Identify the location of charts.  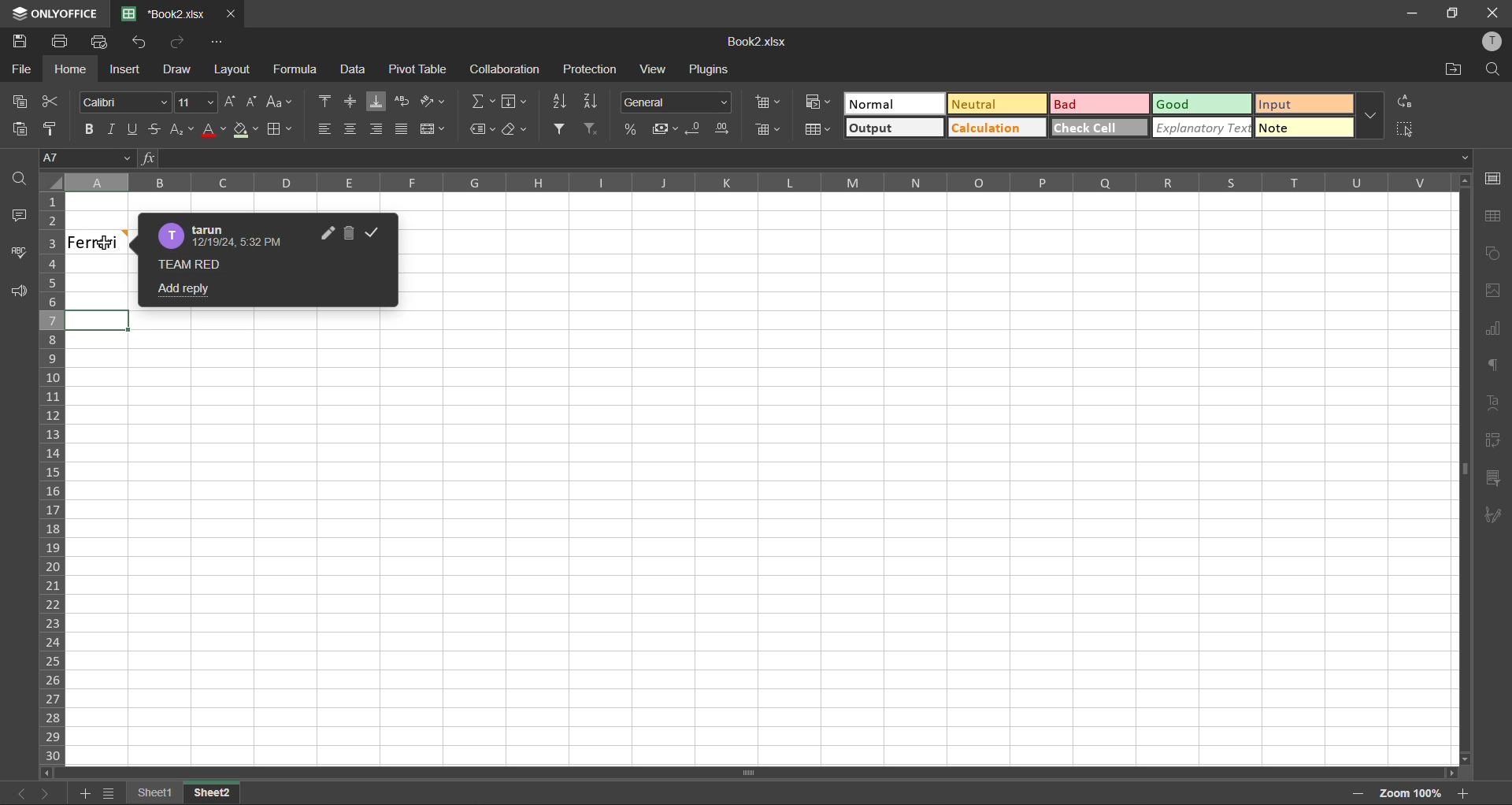
(1493, 331).